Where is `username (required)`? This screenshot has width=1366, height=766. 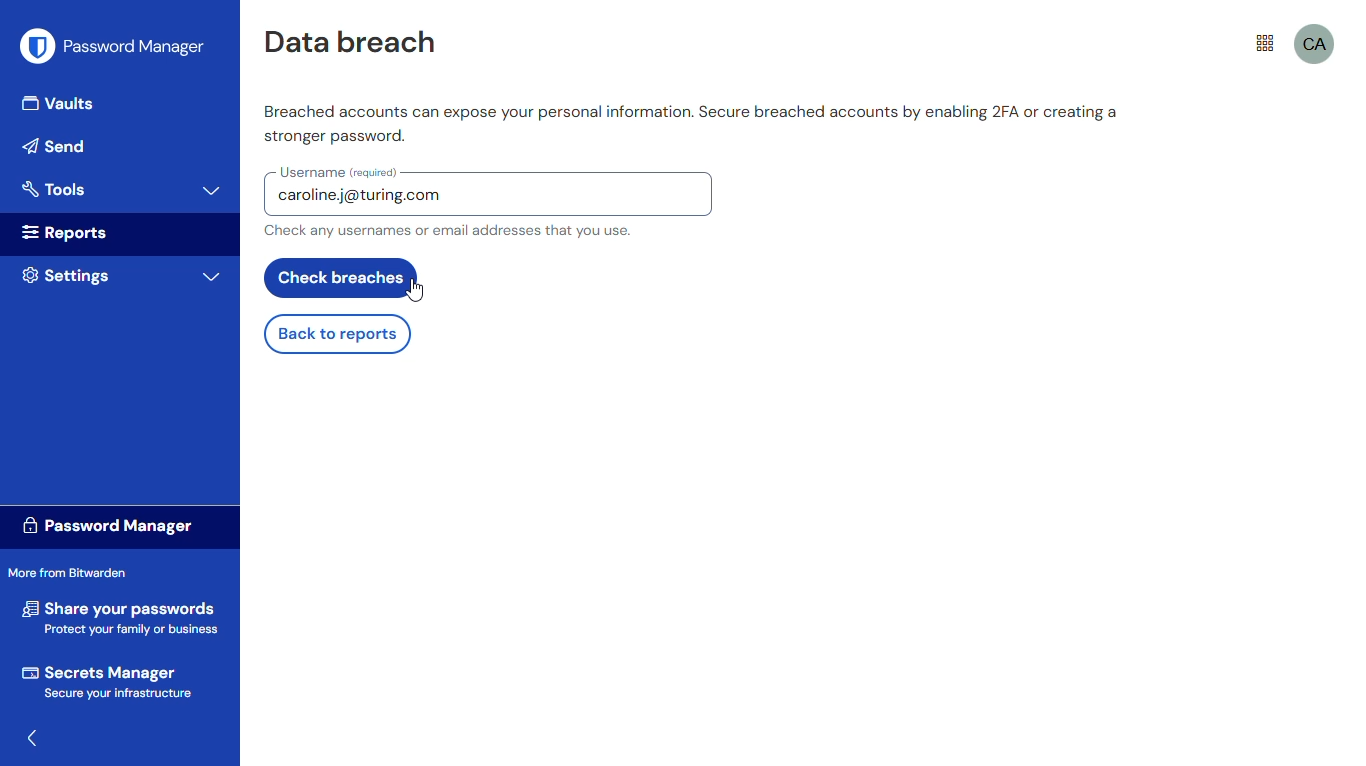
username (required) is located at coordinates (339, 172).